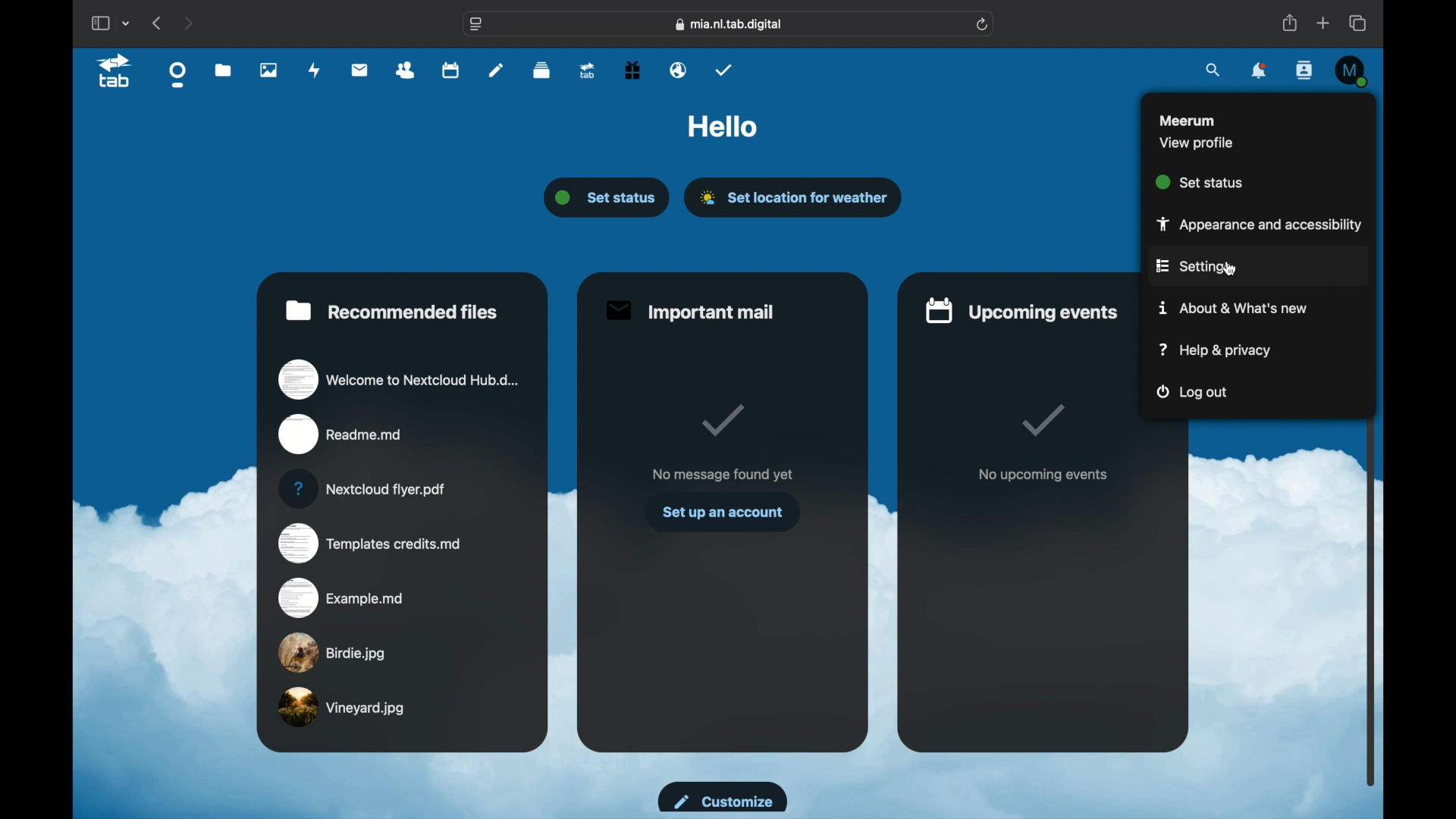  What do you see at coordinates (1253, 223) in the screenshot?
I see `appearance and accessibility` at bounding box center [1253, 223].